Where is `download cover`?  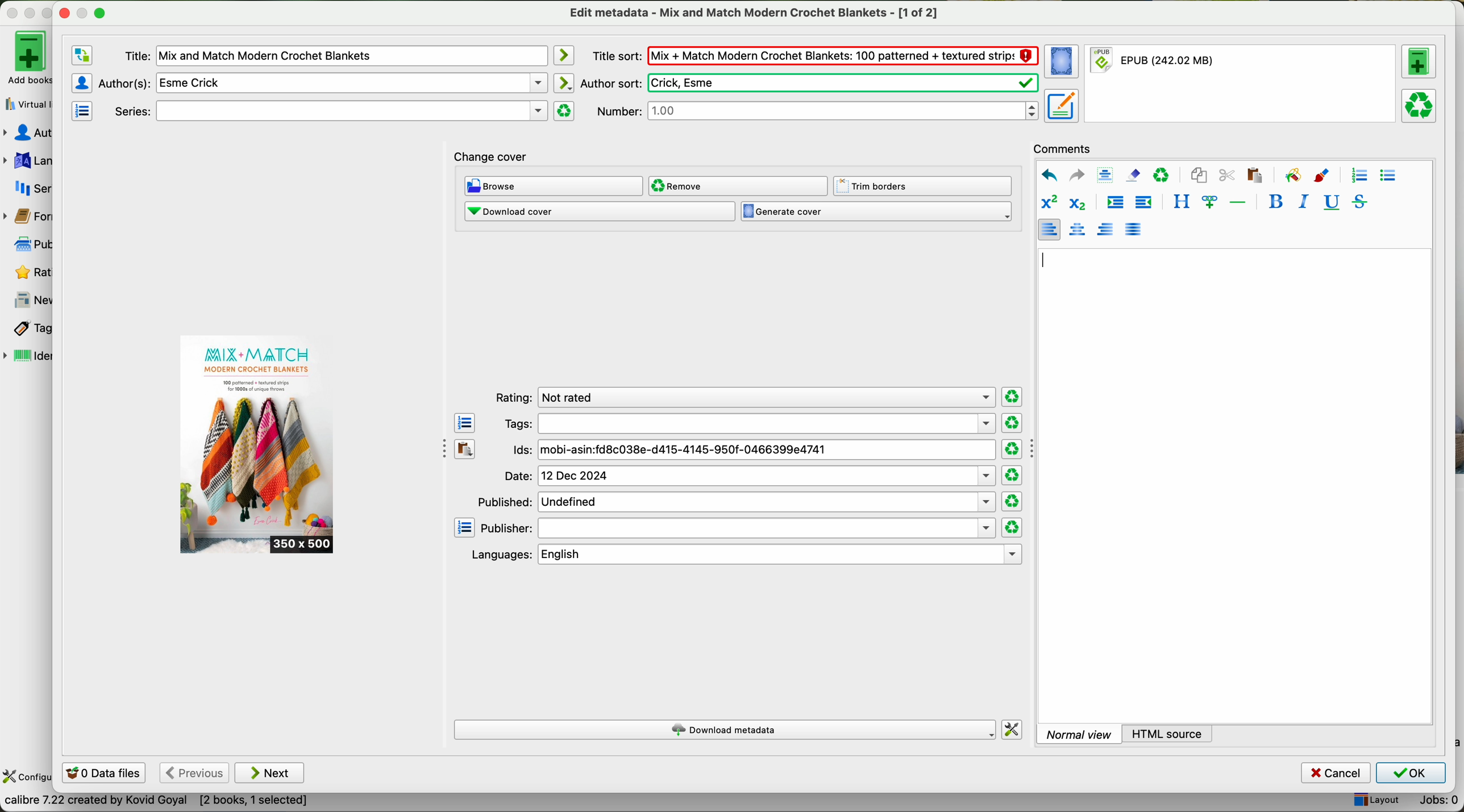
download cover is located at coordinates (599, 211).